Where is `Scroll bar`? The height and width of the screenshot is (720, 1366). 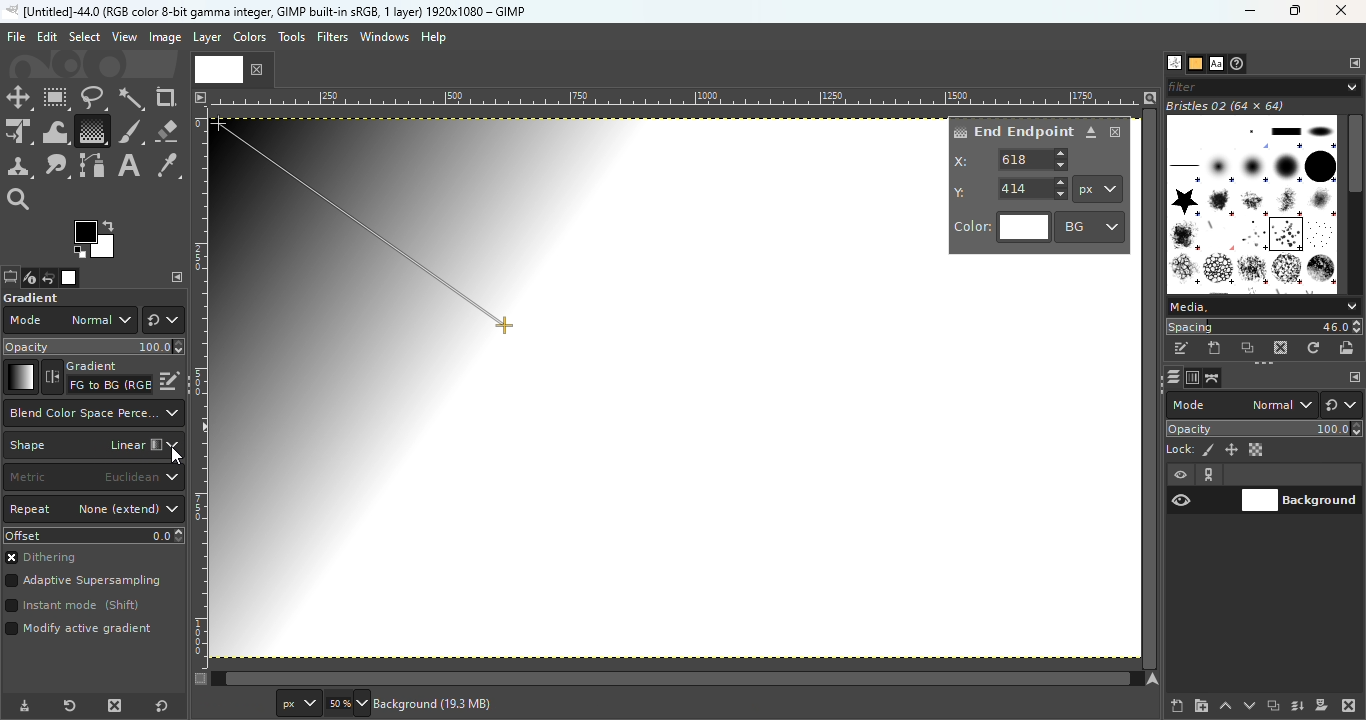
Scroll bar is located at coordinates (1355, 201).